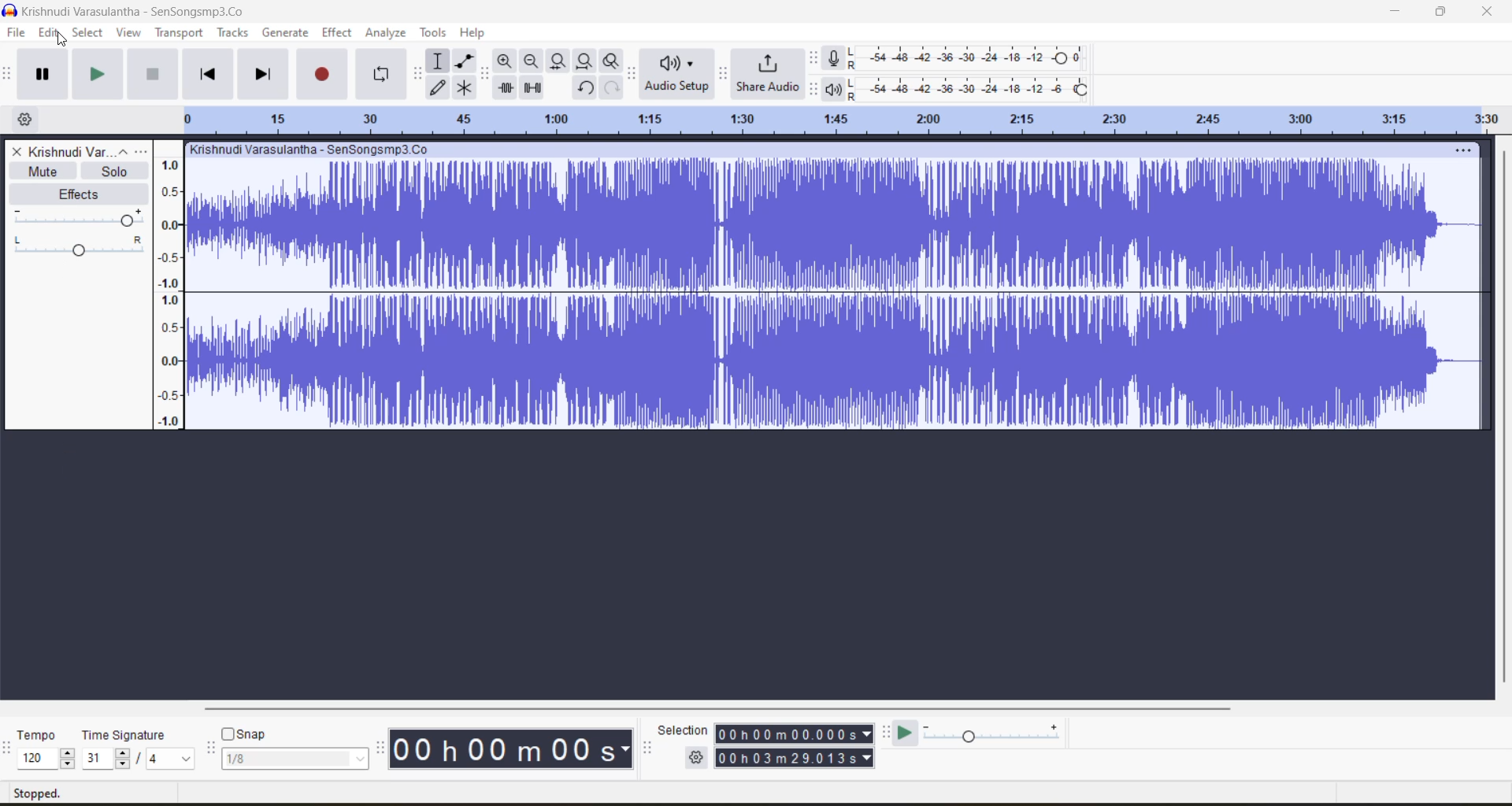  I want to click on transport tool bar, so click(10, 75).